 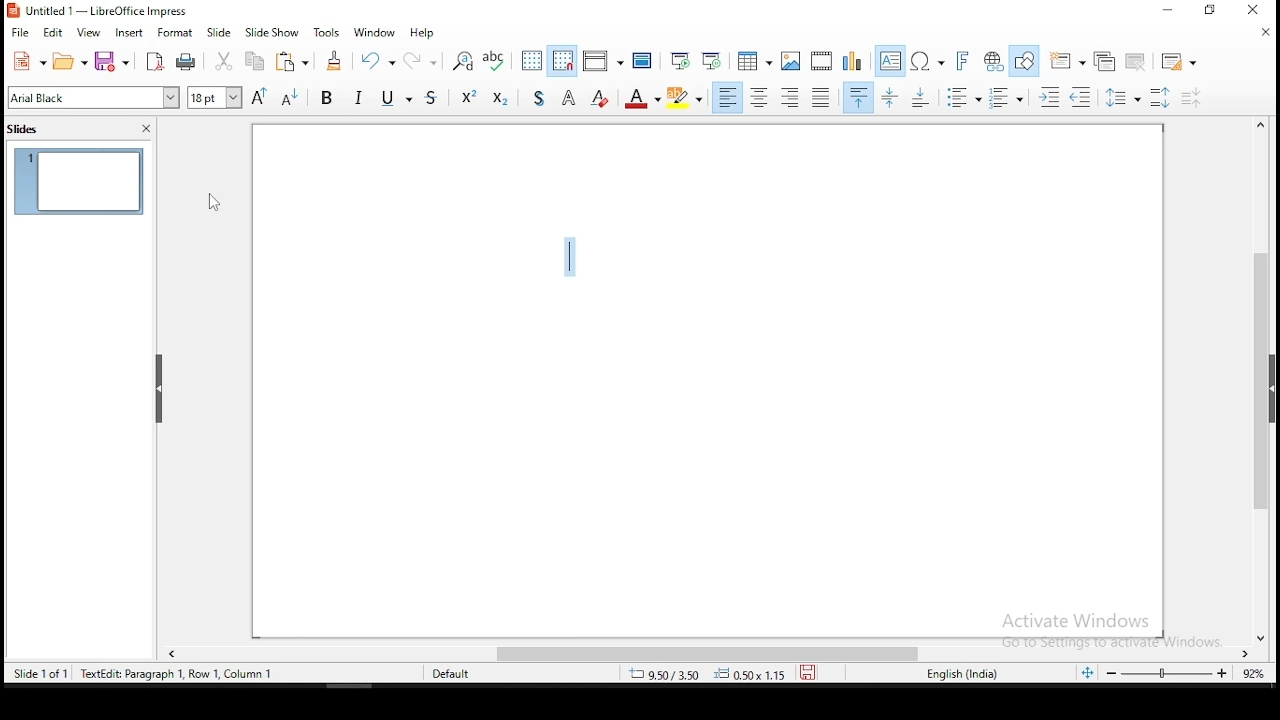 What do you see at coordinates (991, 59) in the screenshot?
I see `insert hyperlink` at bounding box center [991, 59].